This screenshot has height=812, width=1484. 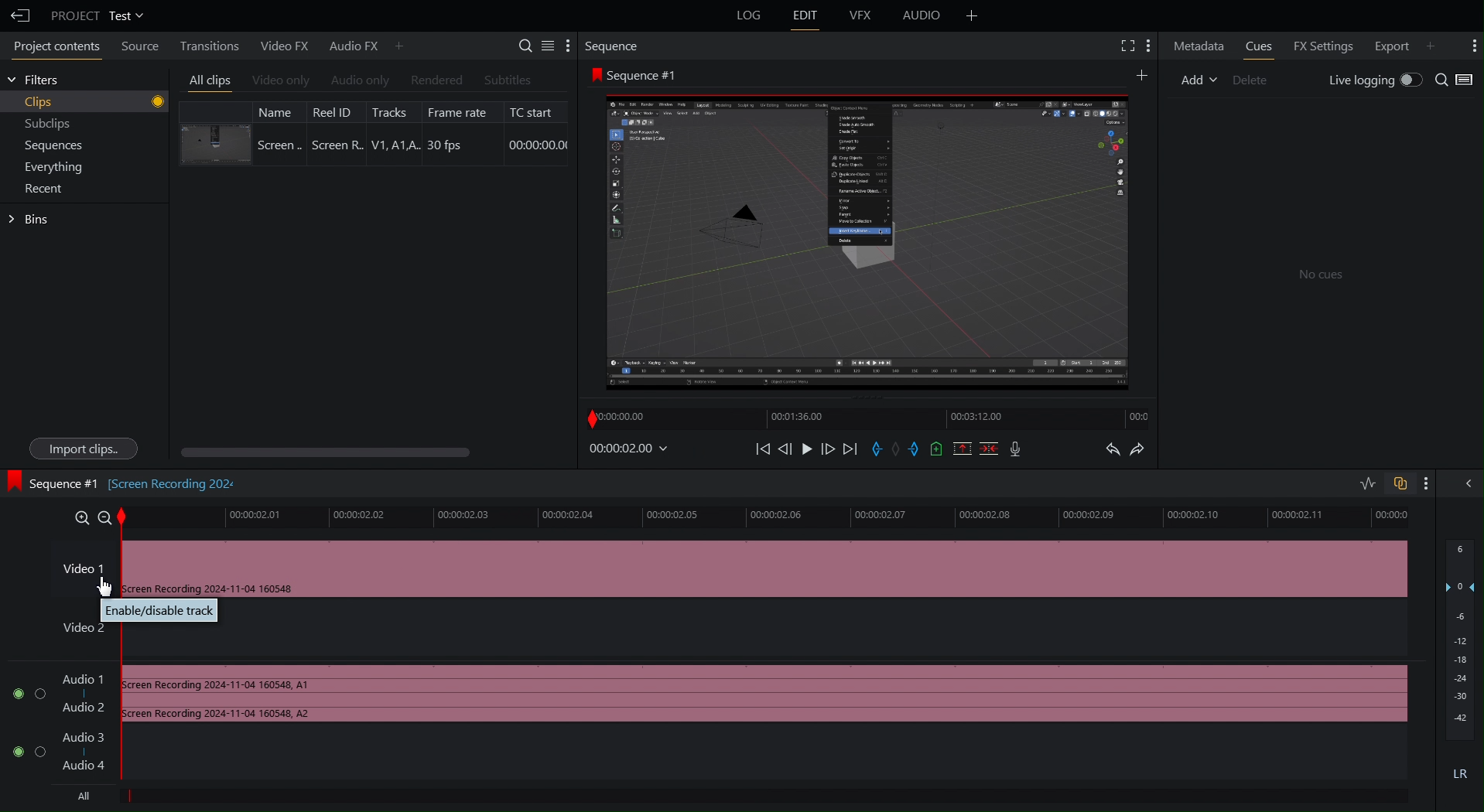 What do you see at coordinates (1363, 481) in the screenshot?
I see `Toggle Audio Editing` at bounding box center [1363, 481].